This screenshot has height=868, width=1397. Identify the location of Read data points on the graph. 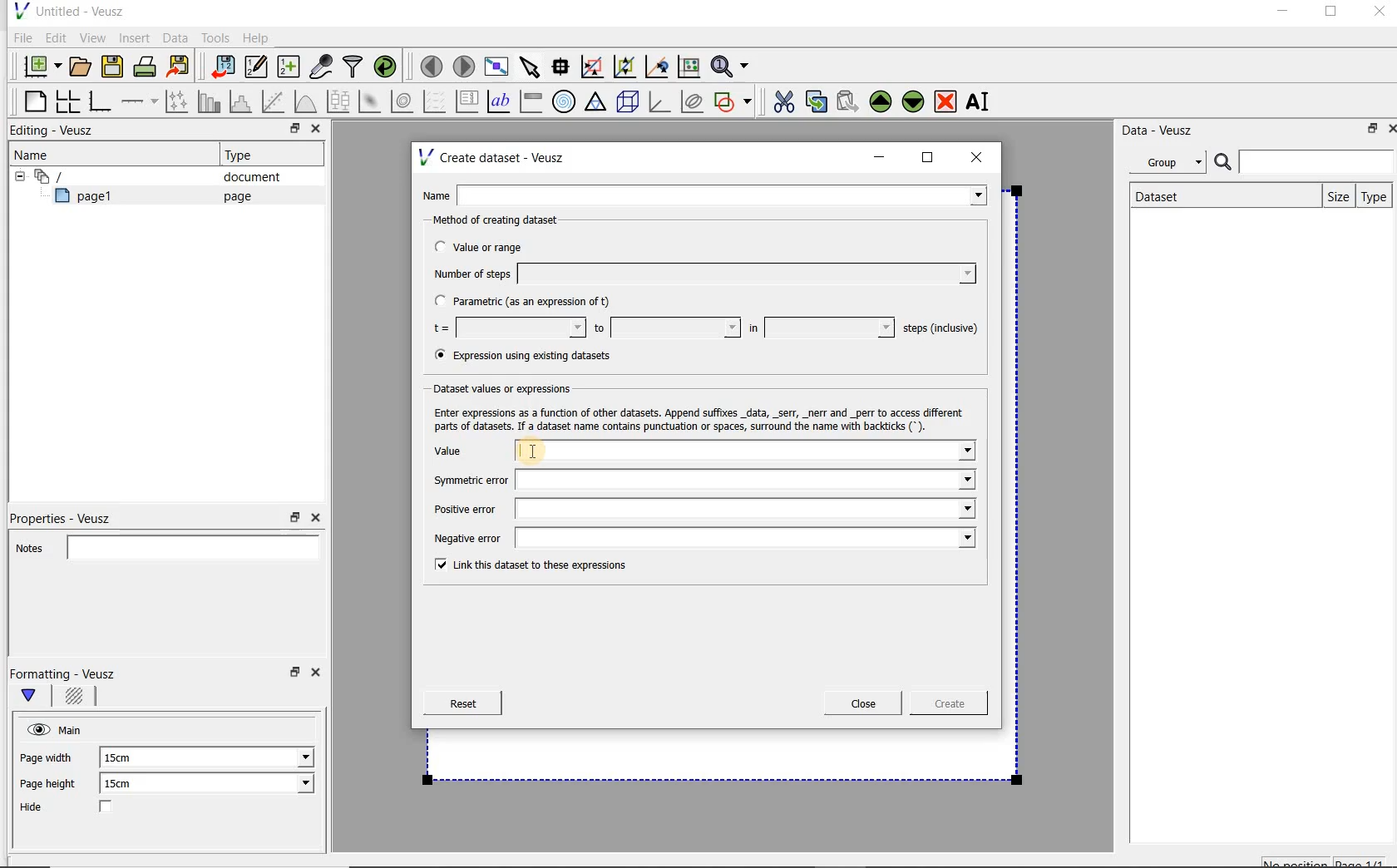
(563, 67).